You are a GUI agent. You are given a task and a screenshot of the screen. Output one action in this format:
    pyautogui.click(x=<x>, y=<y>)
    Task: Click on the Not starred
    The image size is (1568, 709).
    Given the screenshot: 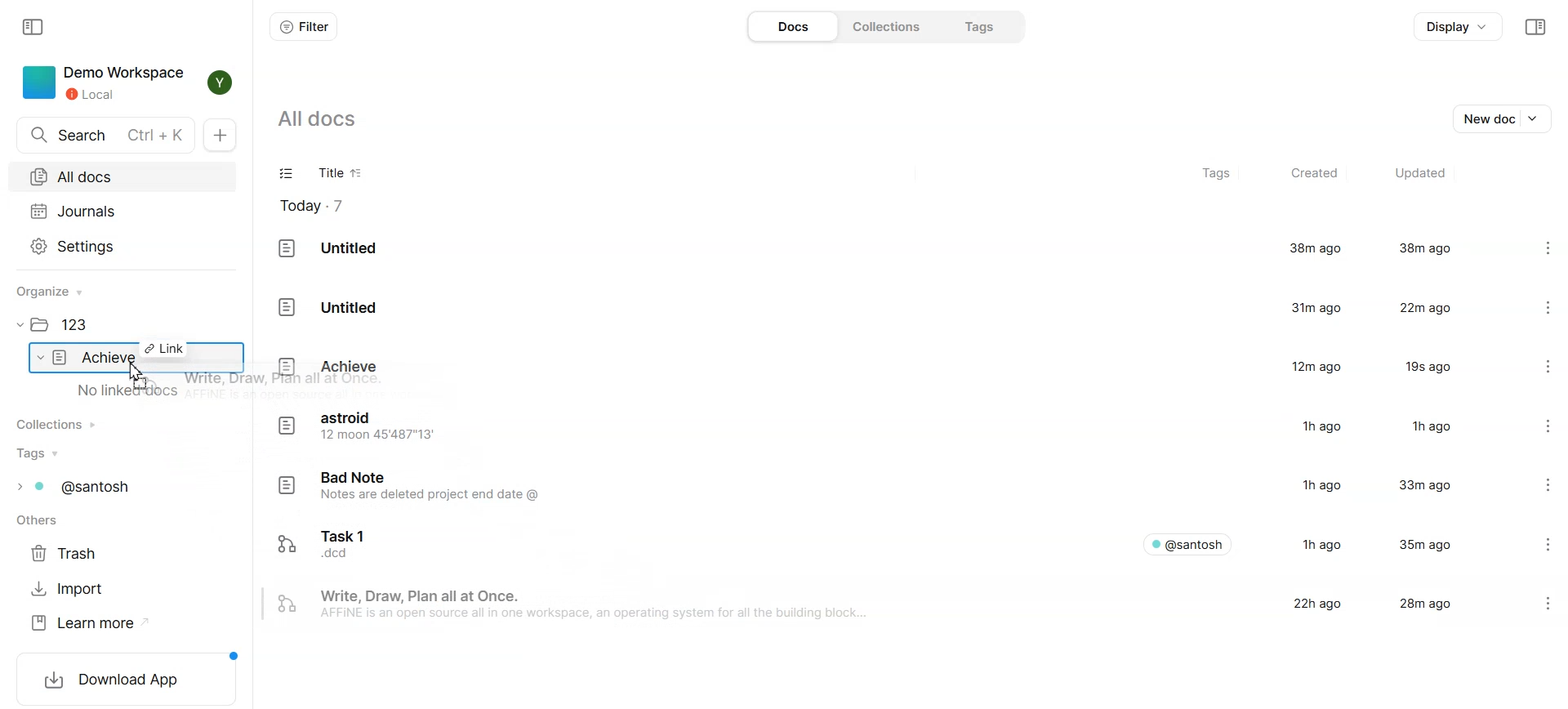 What is the action you would take?
    pyautogui.click(x=1517, y=604)
    